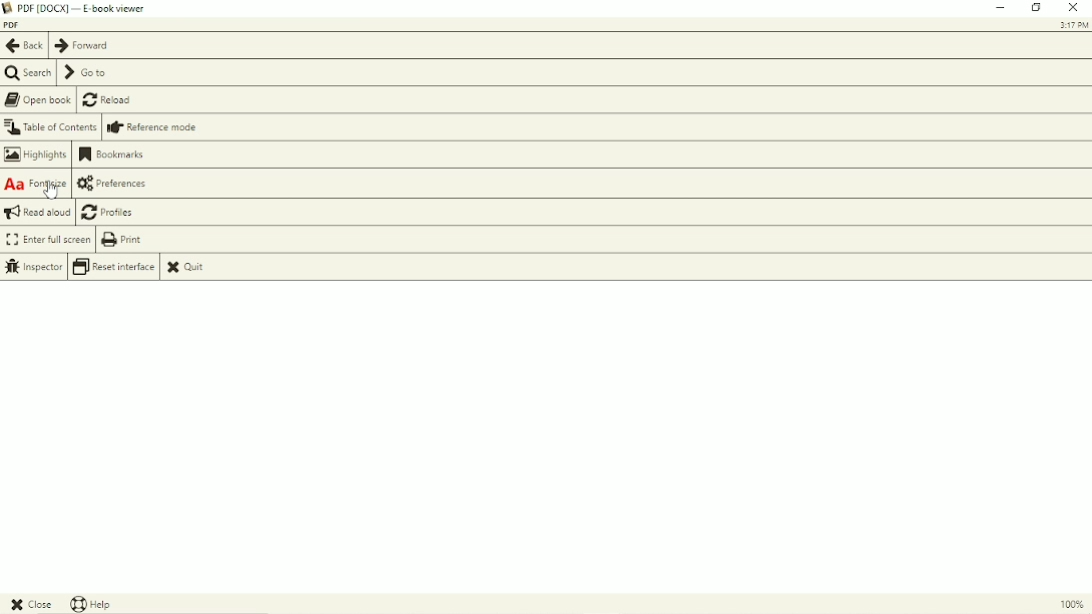 Image resolution: width=1092 pixels, height=614 pixels. Describe the element at coordinates (1067, 606) in the screenshot. I see `100%` at that location.